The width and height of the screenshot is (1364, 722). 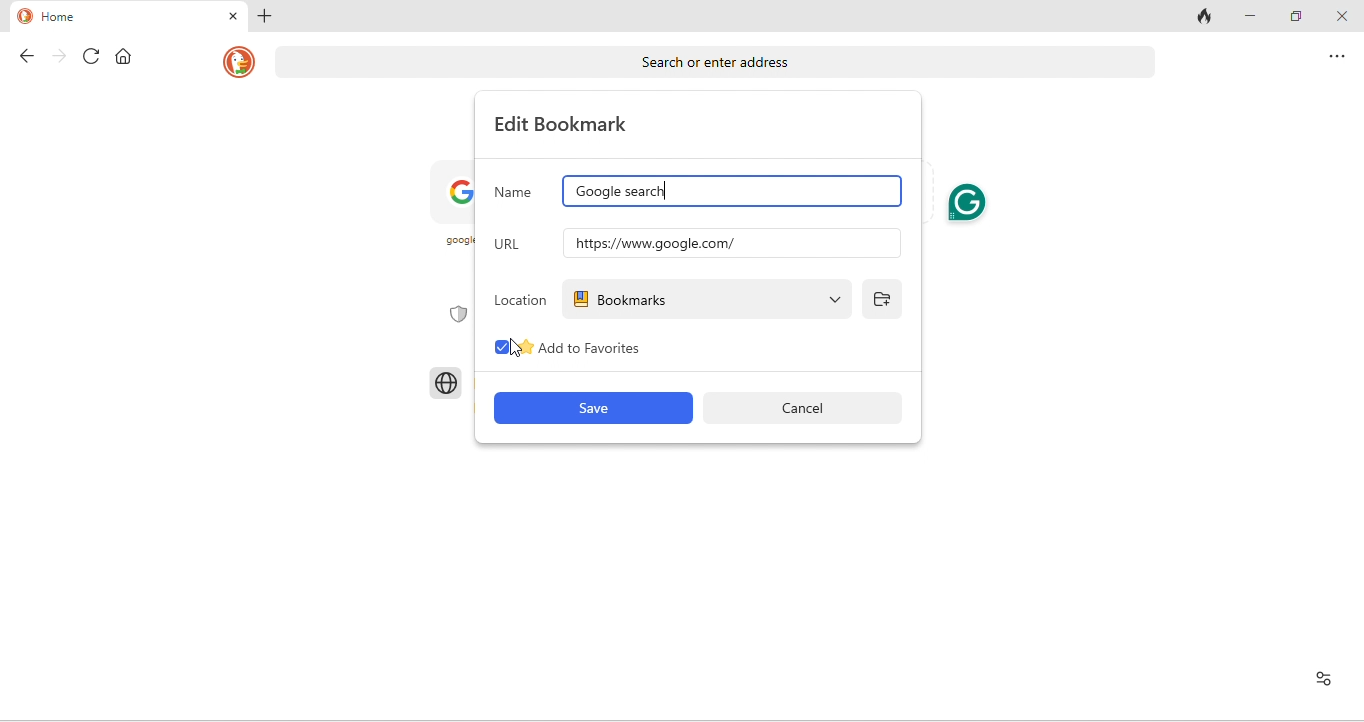 What do you see at coordinates (1321, 681) in the screenshot?
I see `View site information` at bounding box center [1321, 681].